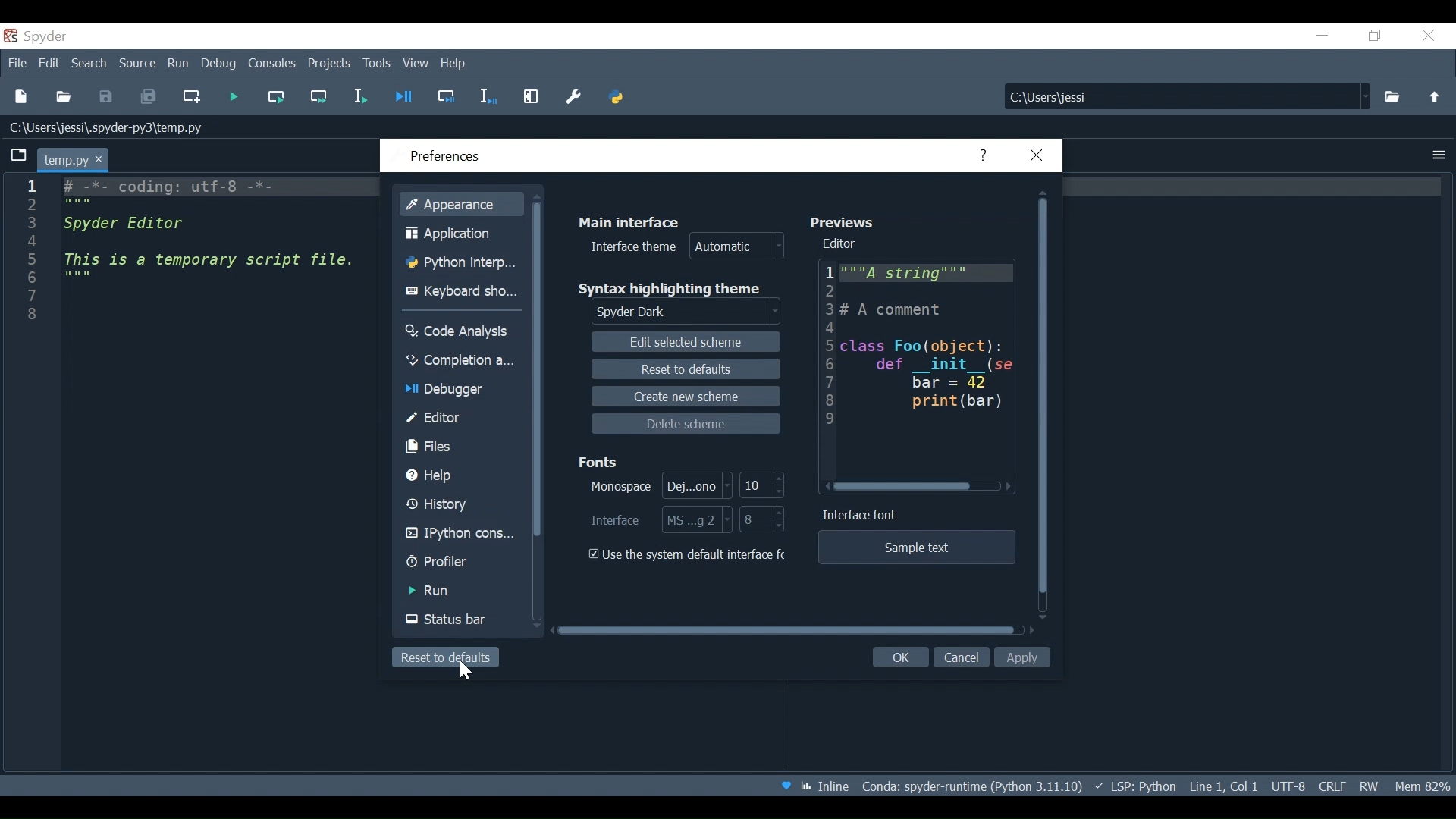 This screenshot has width=1456, height=819. I want to click on Preference, so click(571, 98).